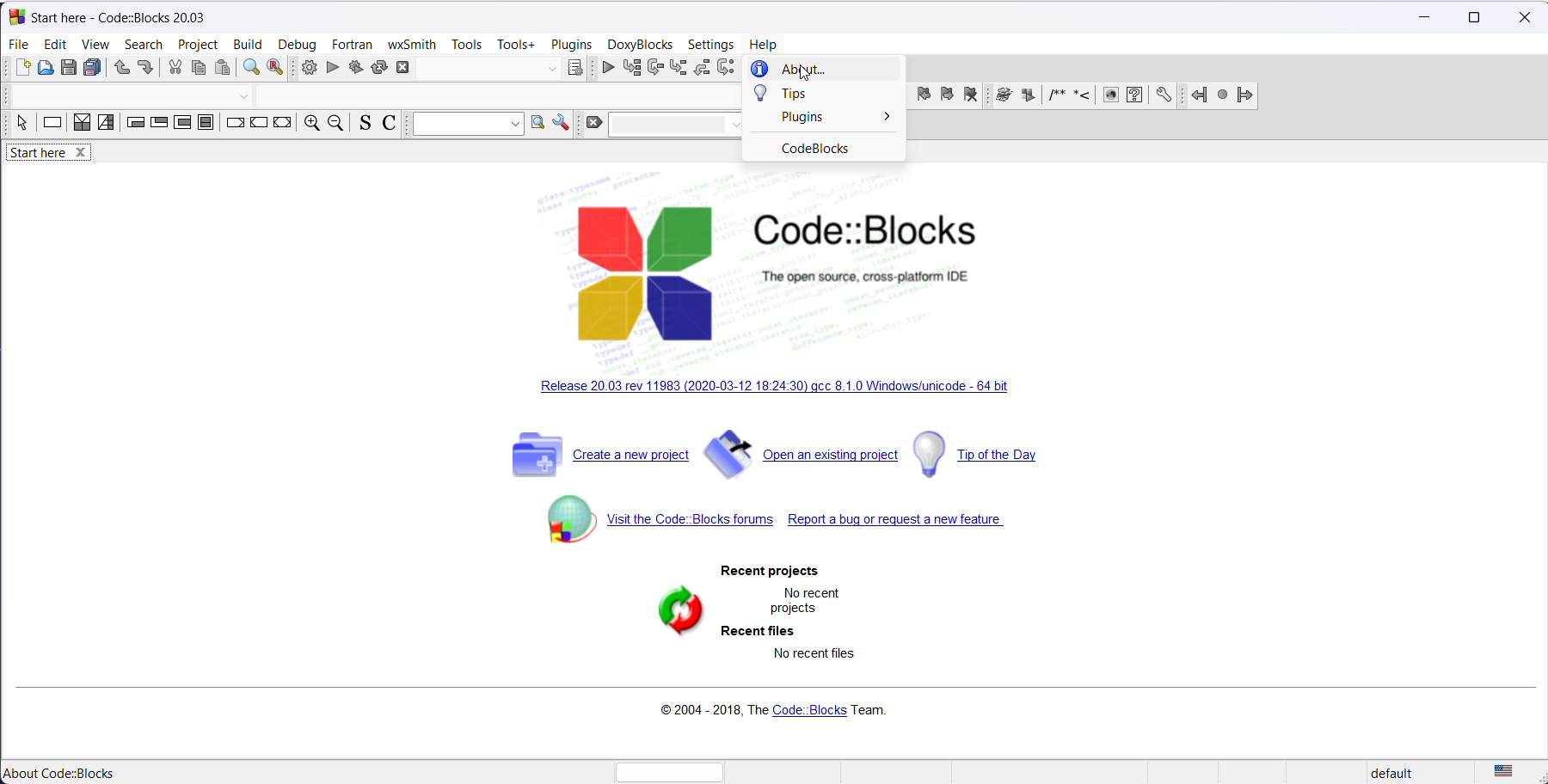  Describe the element at coordinates (577, 67) in the screenshot. I see `target dialog` at that location.